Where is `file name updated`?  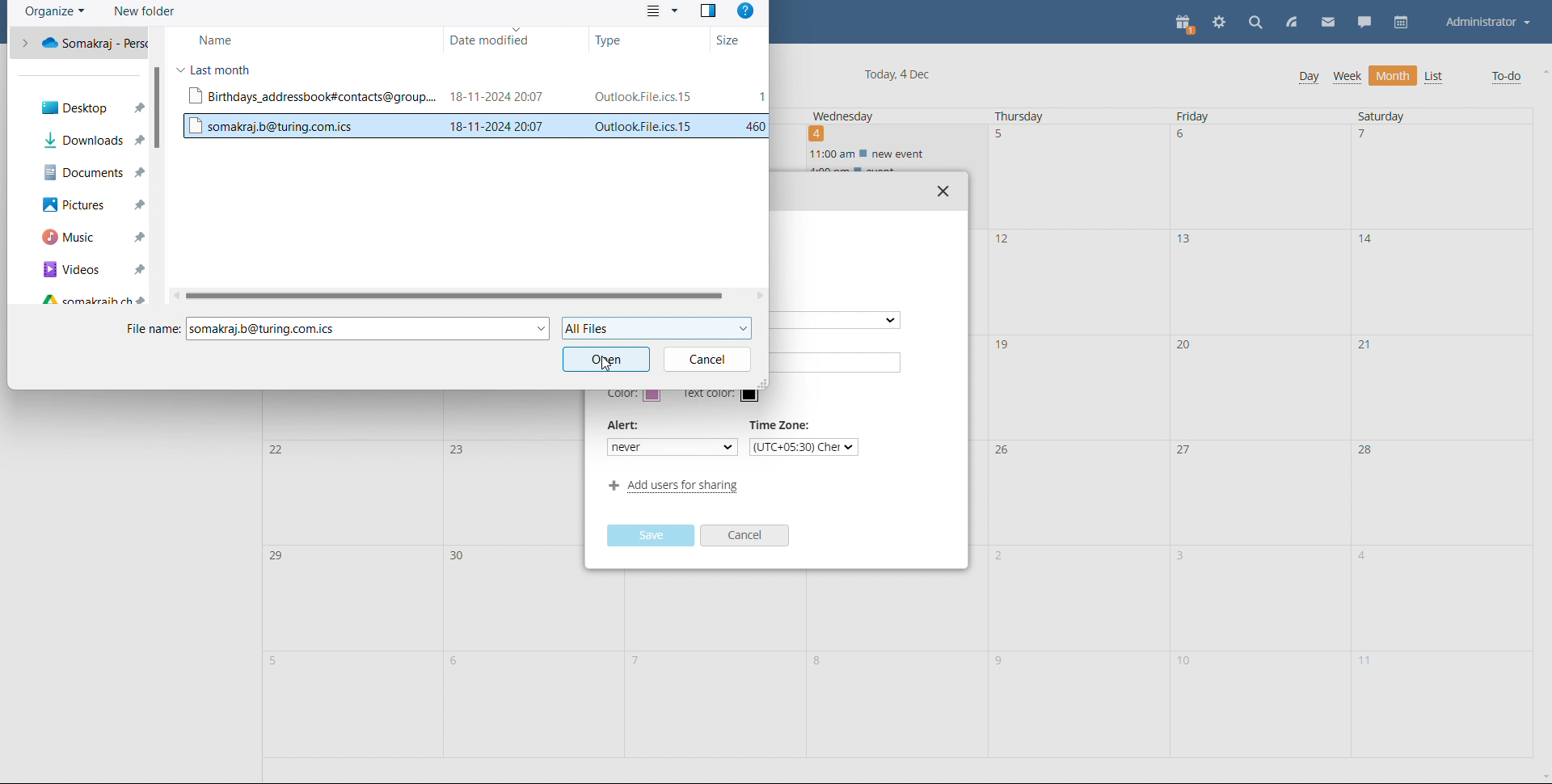
file name updated is located at coordinates (365, 329).